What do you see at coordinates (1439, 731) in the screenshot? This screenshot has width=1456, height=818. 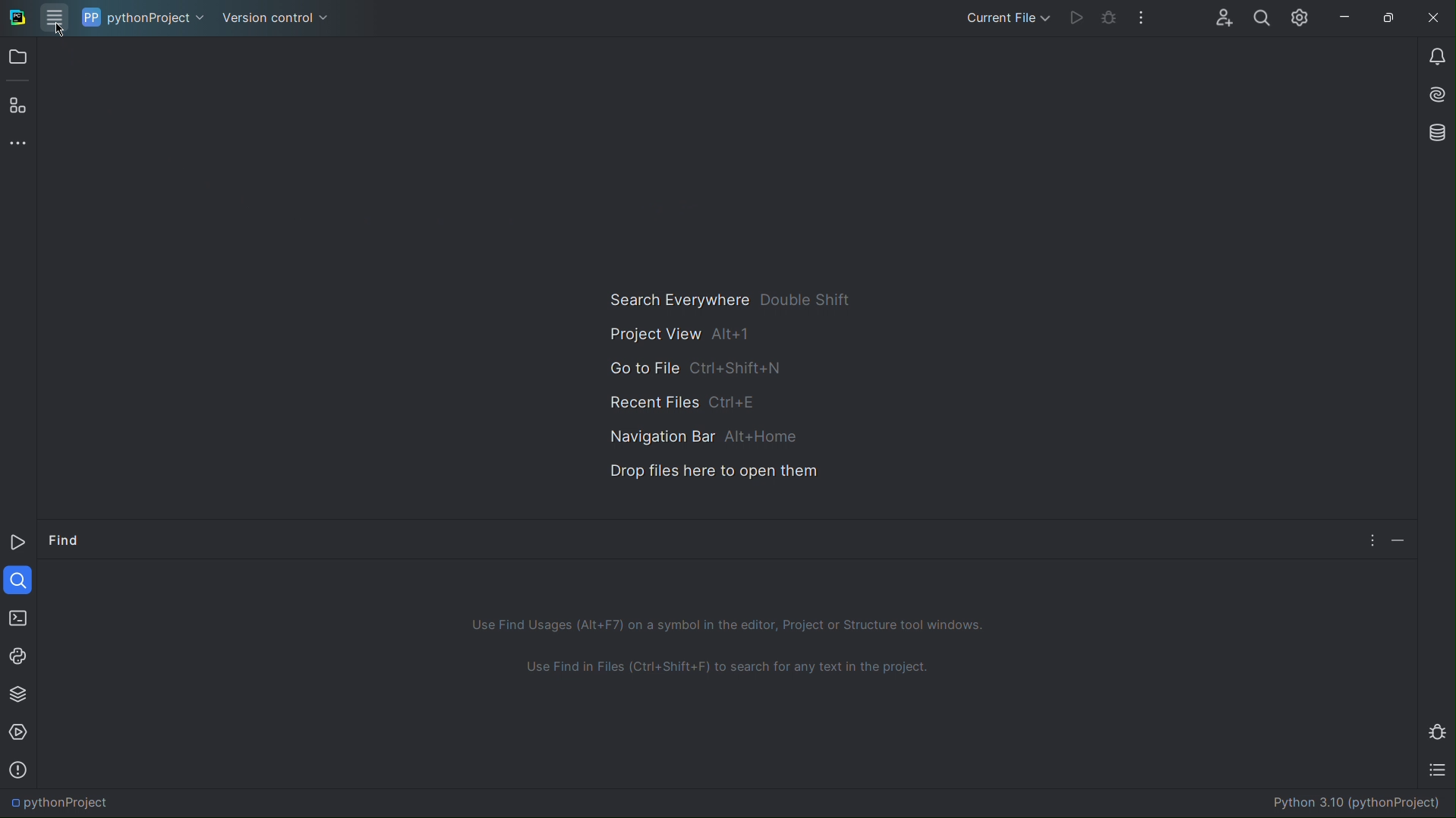 I see `Debug` at bounding box center [1439, 731].